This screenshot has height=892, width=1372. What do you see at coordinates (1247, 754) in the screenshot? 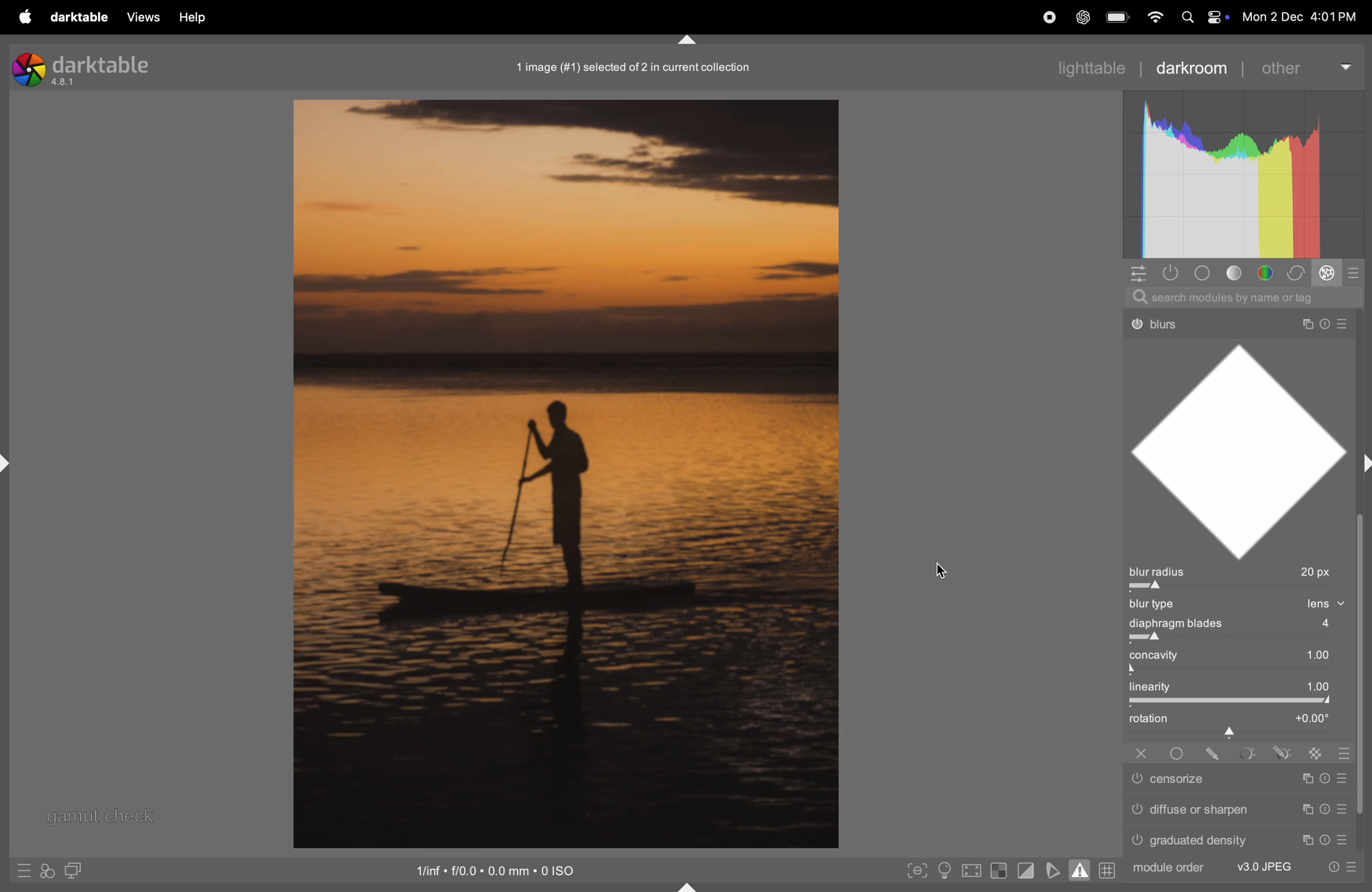
I see `` at bounding box center [1247, 754].